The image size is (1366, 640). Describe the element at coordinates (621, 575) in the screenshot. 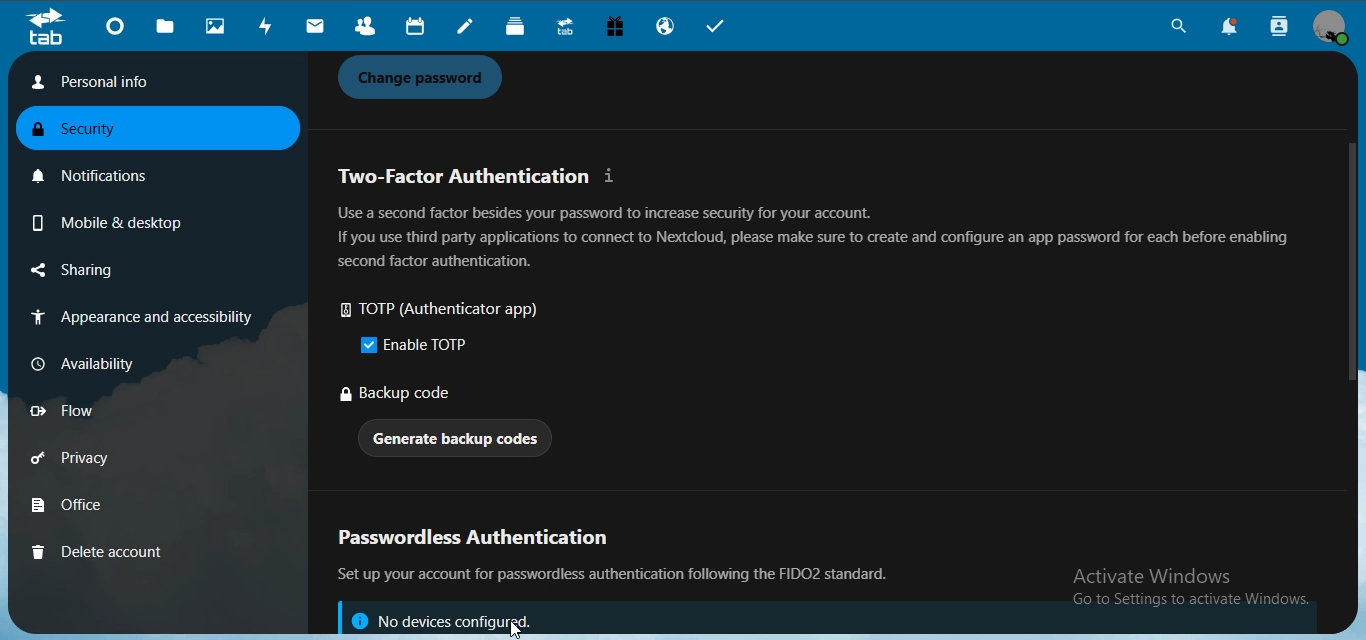

I see `Set up your account for passwordless authentication following the FIDO2 standard.` at that location.